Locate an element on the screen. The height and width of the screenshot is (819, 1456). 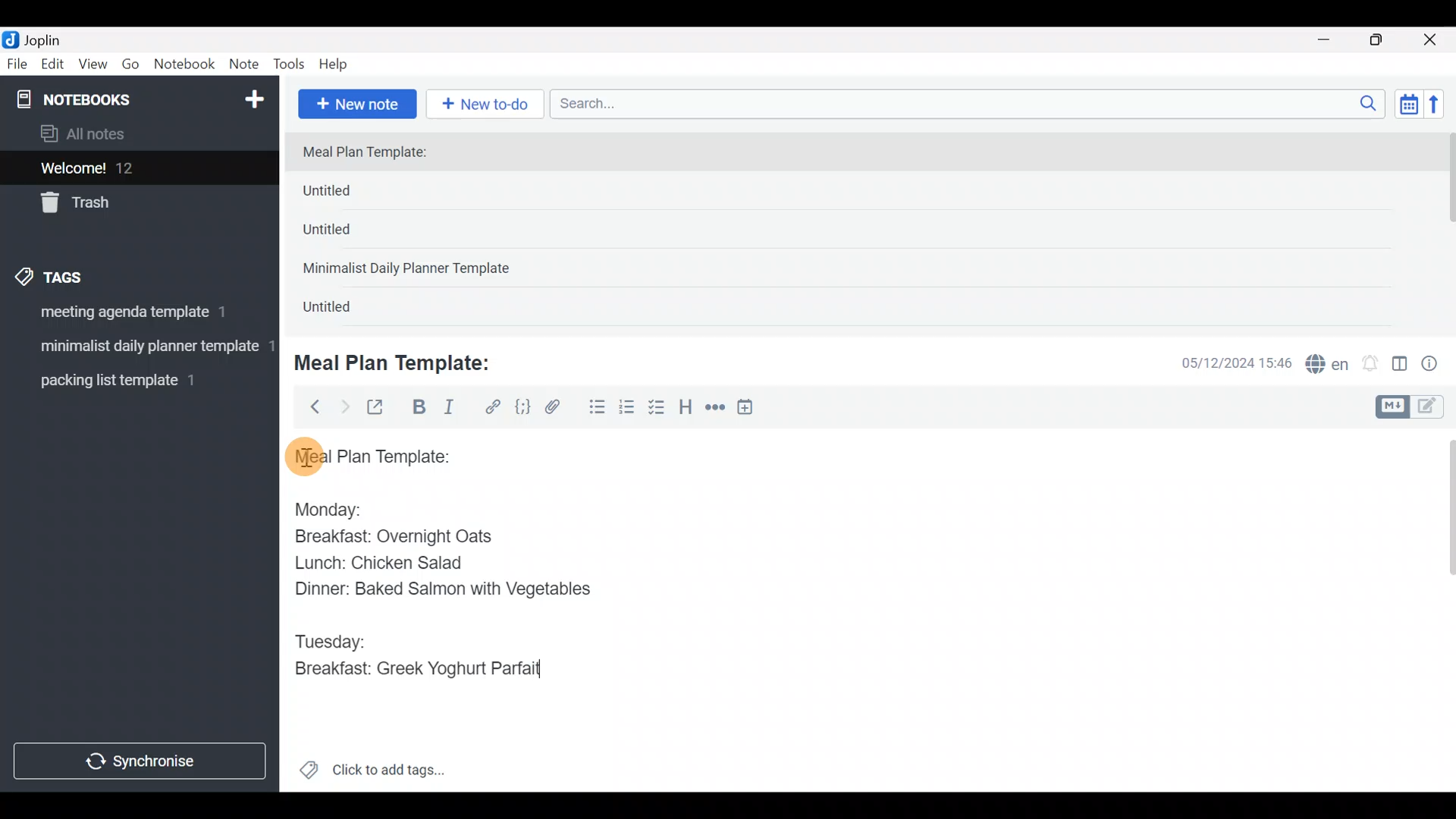
Insert time is located at coordinates (752, 409).